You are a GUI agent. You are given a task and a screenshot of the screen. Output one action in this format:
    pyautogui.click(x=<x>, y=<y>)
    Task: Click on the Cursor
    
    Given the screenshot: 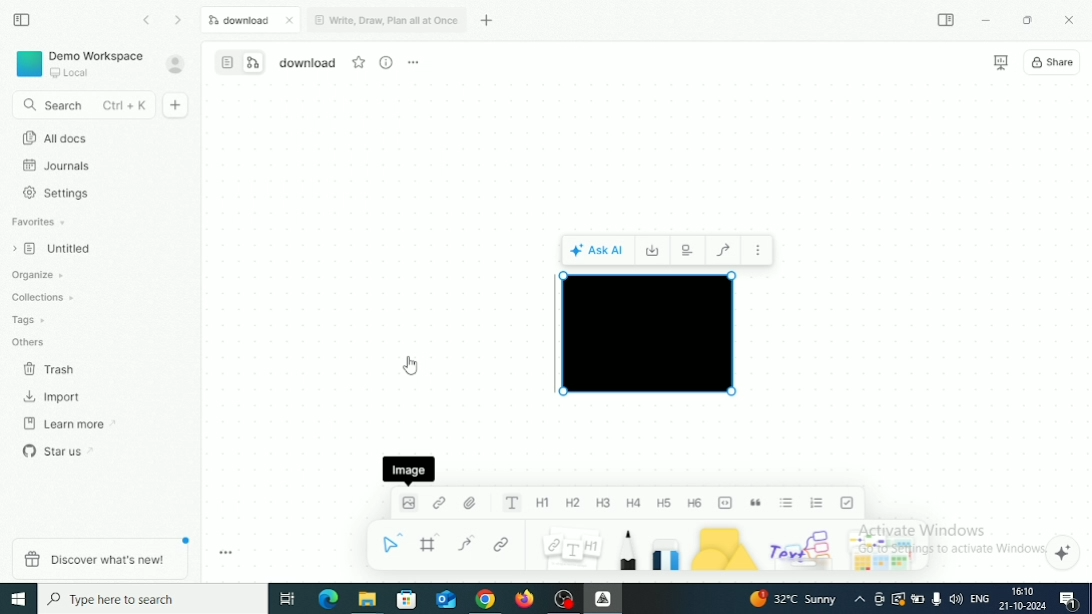 What is the action you would take?
    pyautogui.click(x=411, y=365)
    